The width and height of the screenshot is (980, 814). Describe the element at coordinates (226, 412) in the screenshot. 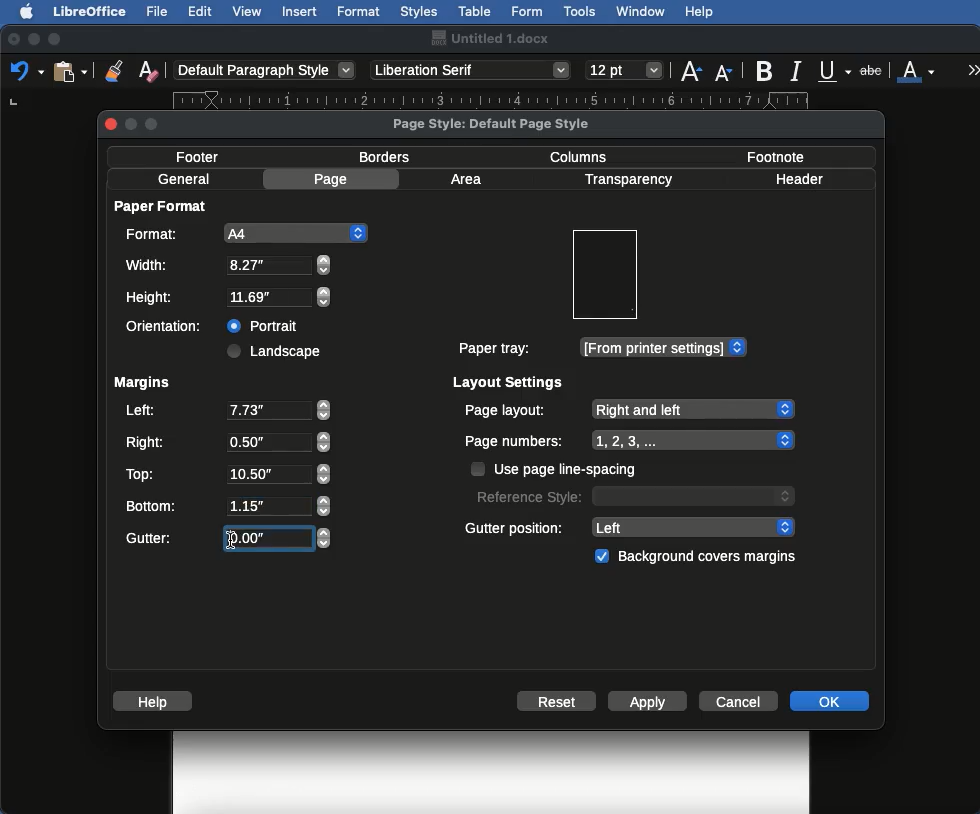

I see `Left` at that location.